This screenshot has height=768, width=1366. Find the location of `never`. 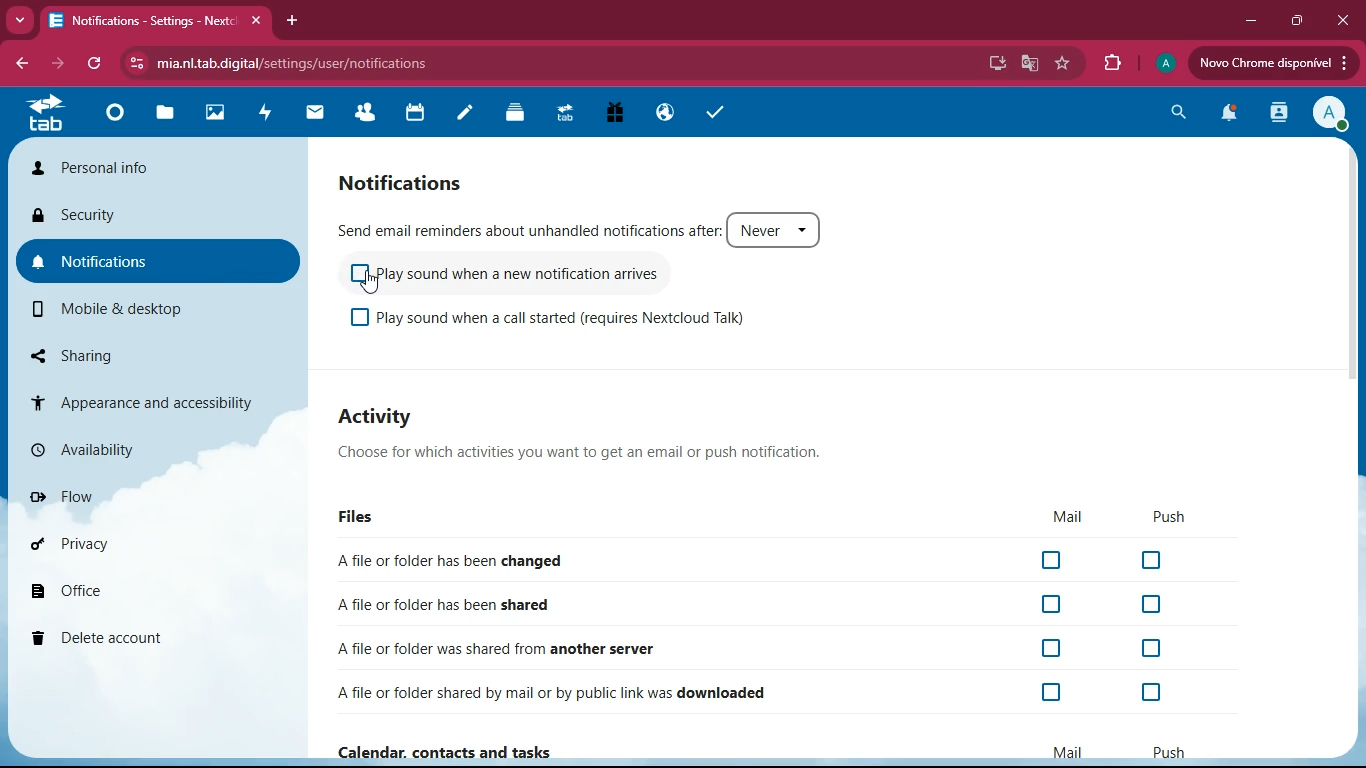

never is located at coordinates (776, 228).